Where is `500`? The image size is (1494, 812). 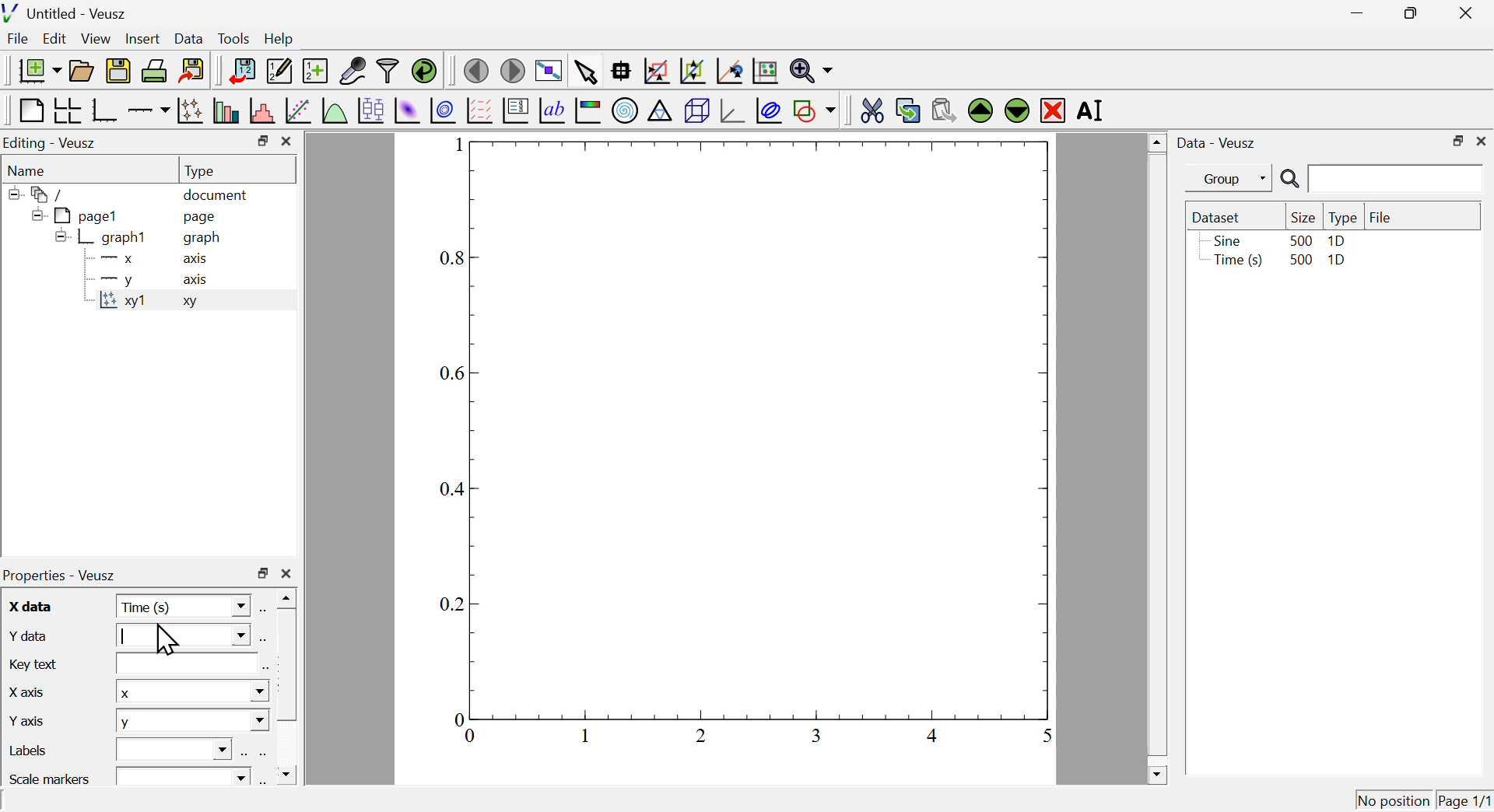 500 is located at coordinates (1299, 261).